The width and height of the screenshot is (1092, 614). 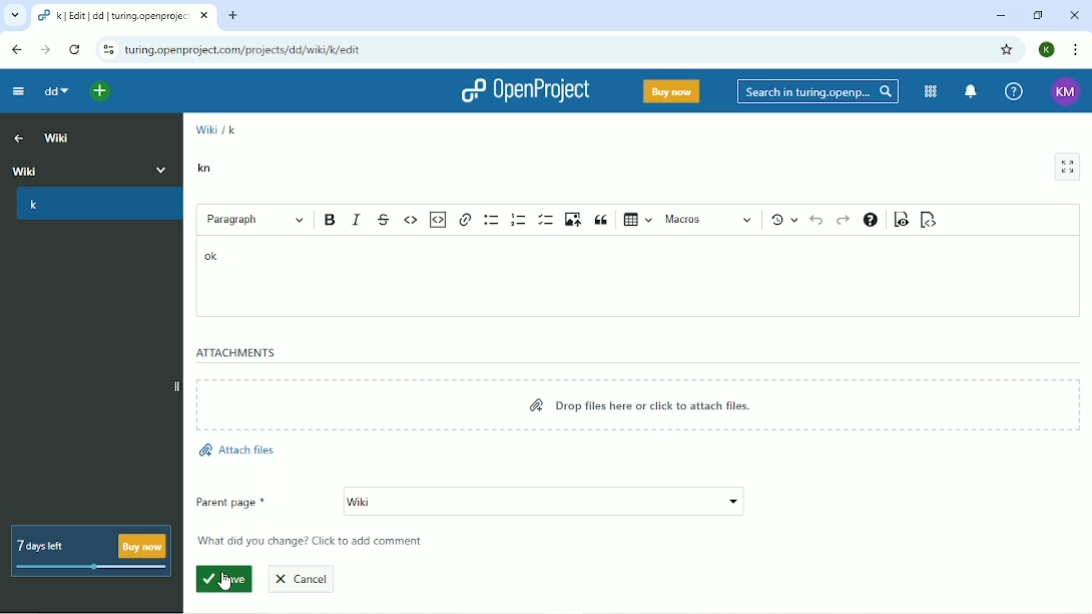 I want to click on Attach files, so click(x=238, y=448).